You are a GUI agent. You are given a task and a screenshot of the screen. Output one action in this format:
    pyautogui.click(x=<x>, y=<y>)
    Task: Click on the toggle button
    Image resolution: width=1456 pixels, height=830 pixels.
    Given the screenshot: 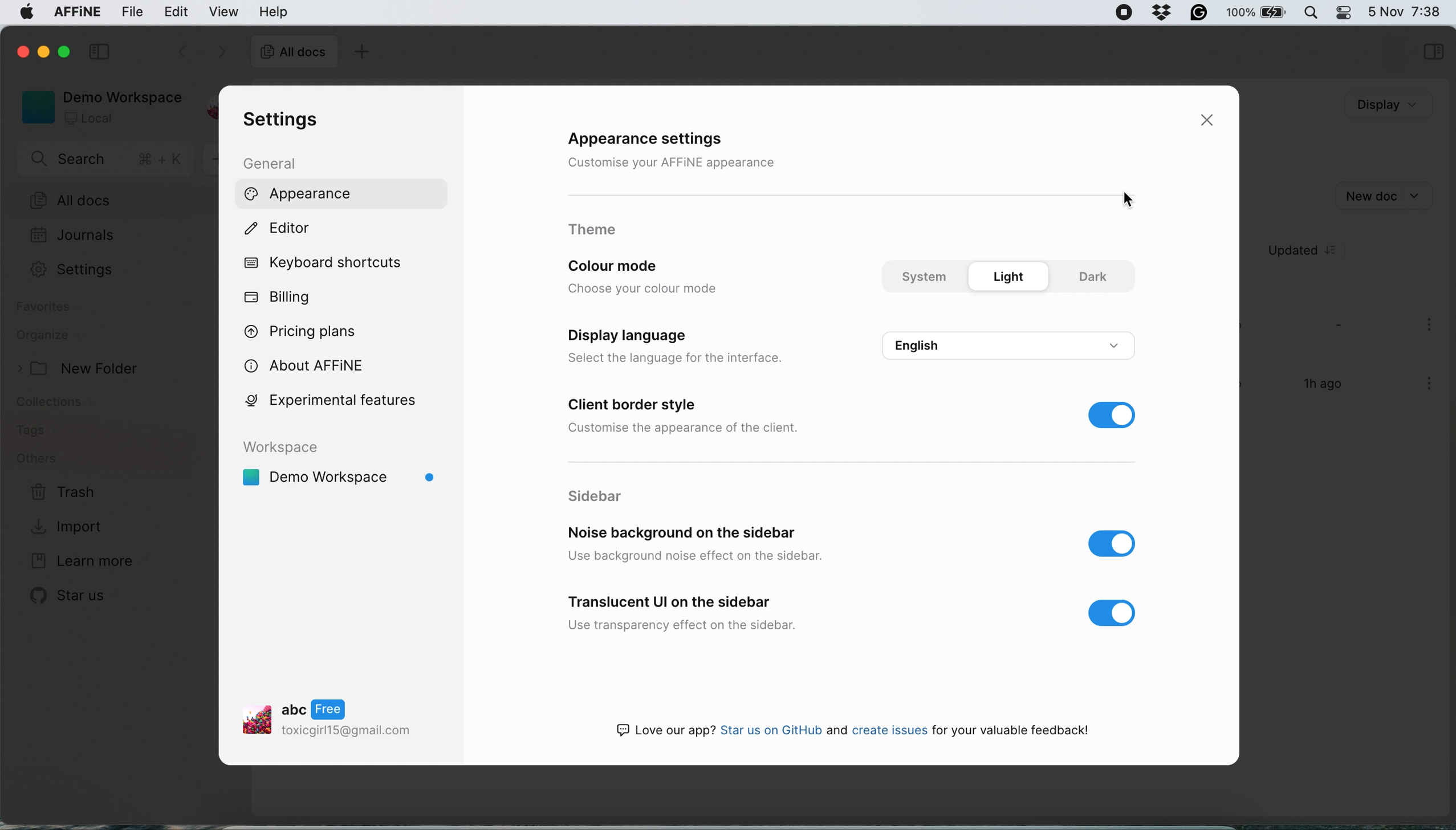 What is the action you would take?
    pyautogui.click(x=1116, y=543)
    